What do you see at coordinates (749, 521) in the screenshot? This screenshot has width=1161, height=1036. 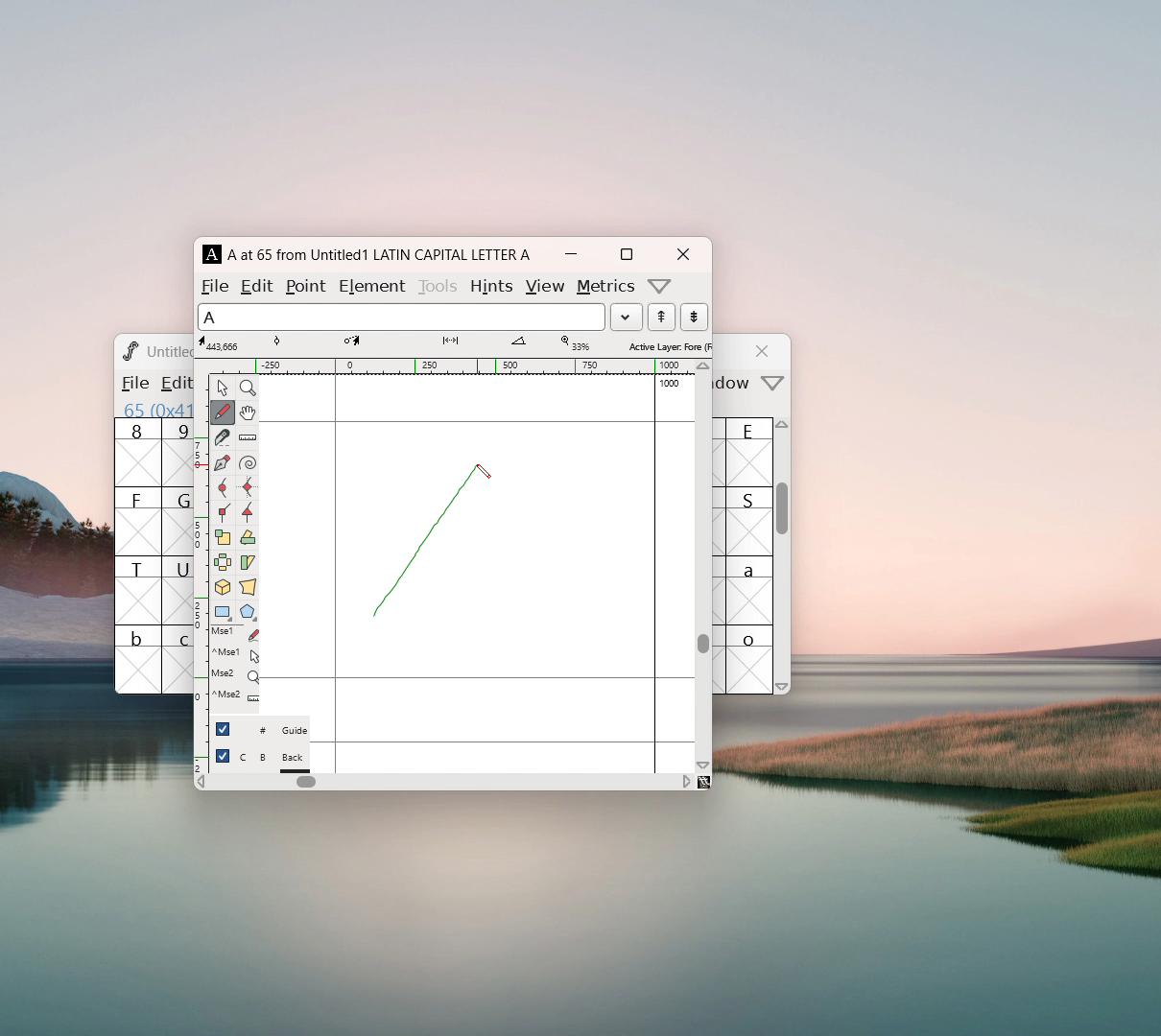 I see `S` at bounding box center [749, 521].